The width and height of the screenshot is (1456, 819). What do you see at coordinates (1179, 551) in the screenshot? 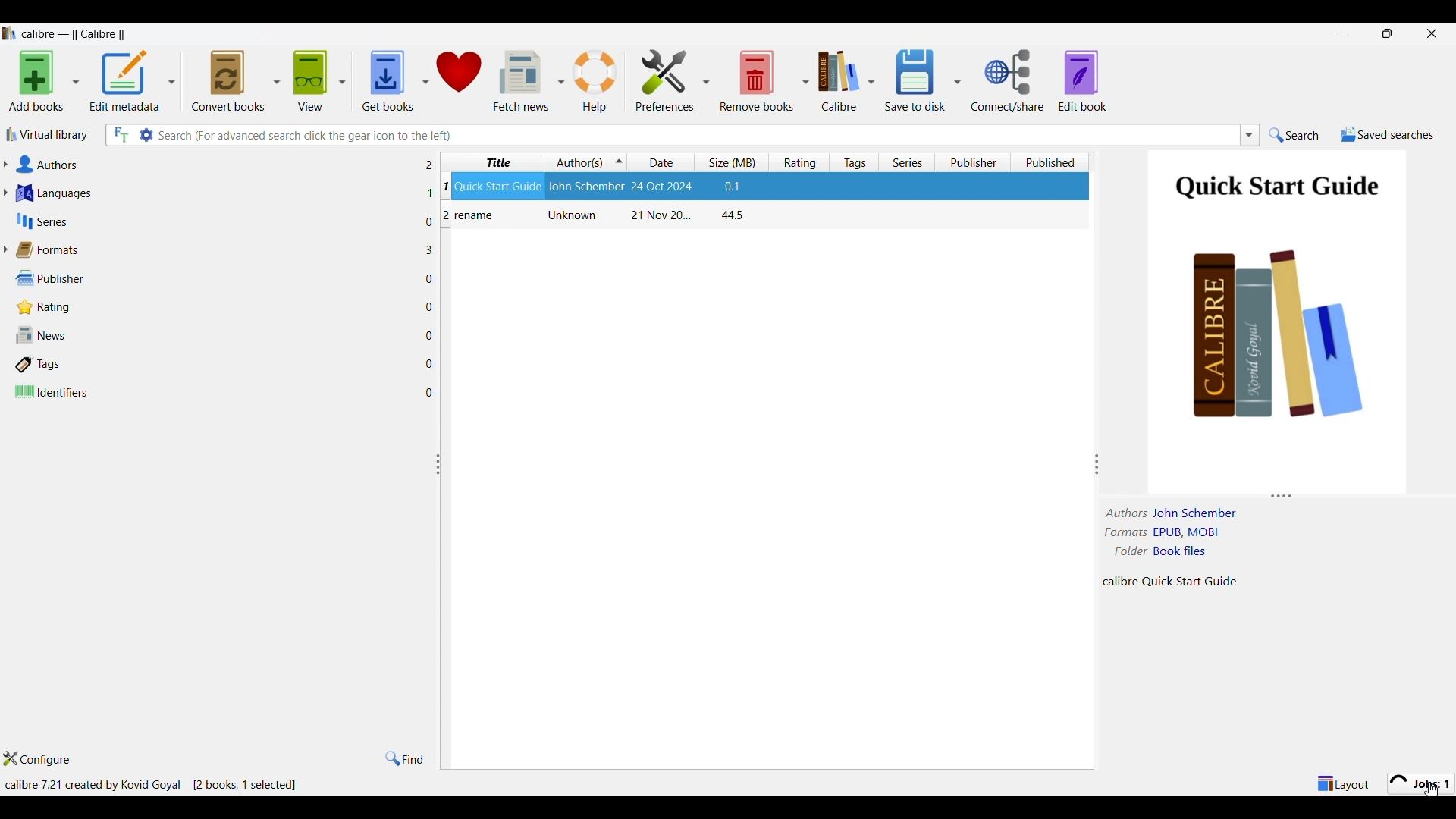
I see `book files` at bounding box center [1179, 551].